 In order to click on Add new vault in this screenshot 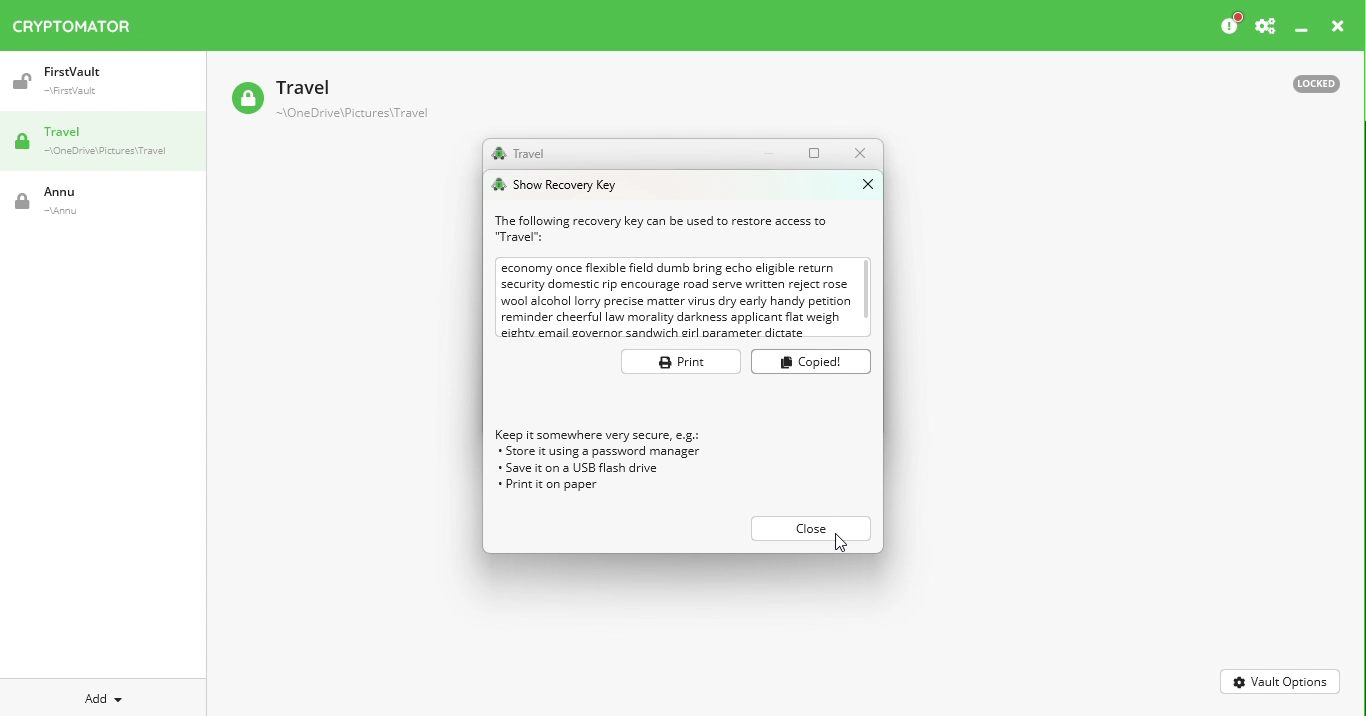, I will do `click(104, 696)`.